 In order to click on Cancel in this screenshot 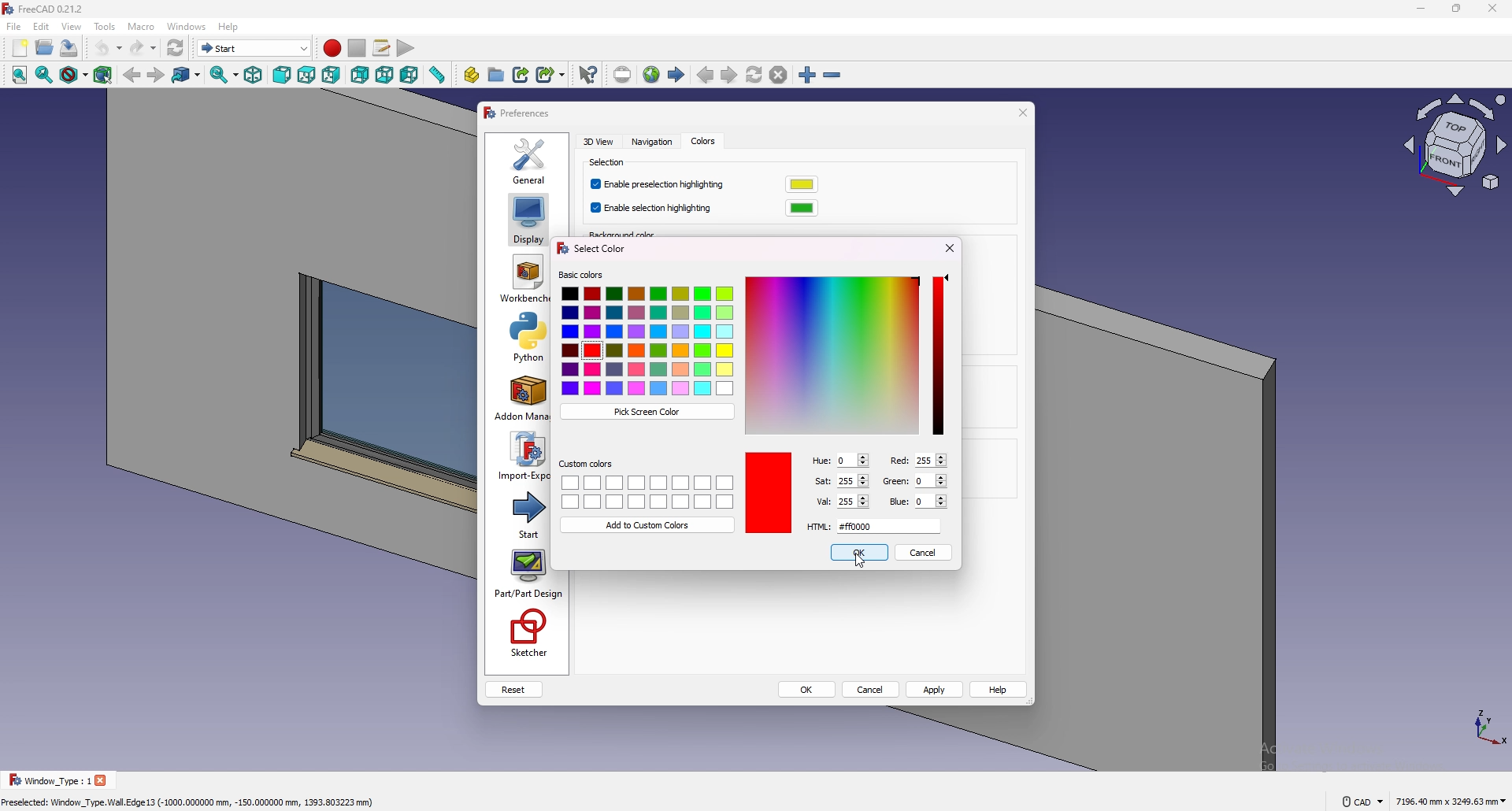, I will do `click(922, 552)`.